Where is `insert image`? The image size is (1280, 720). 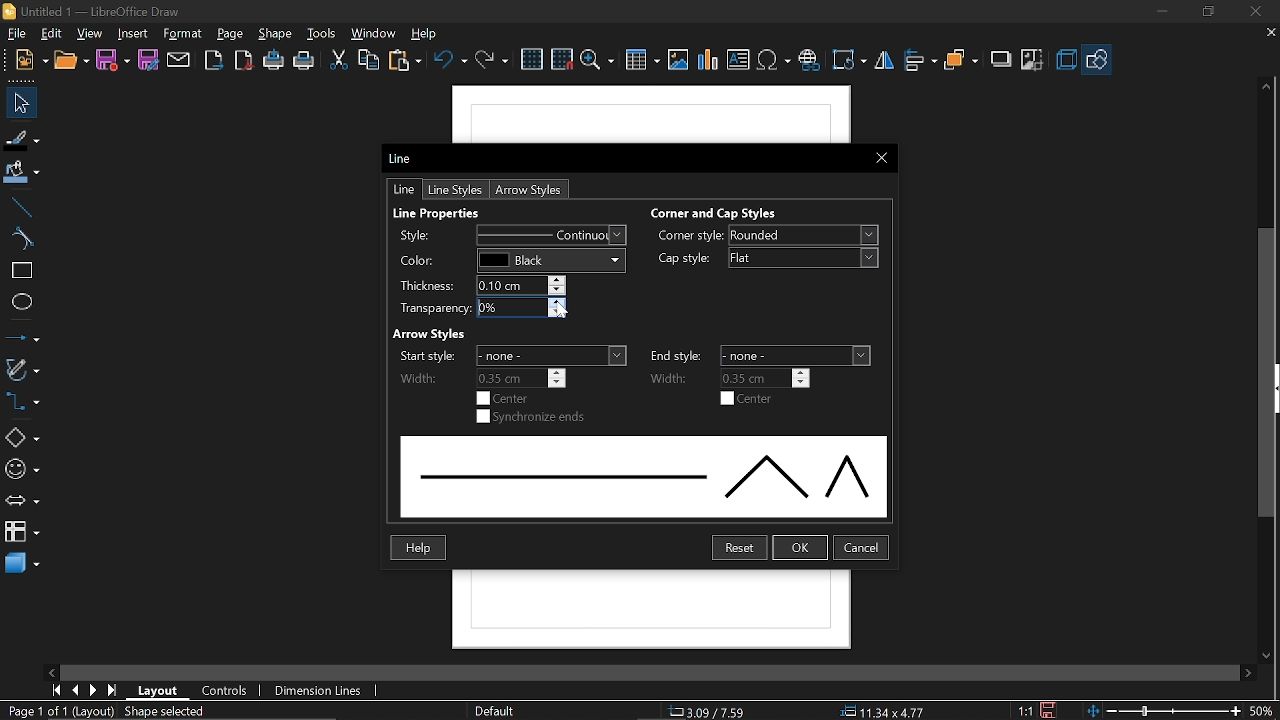 insert image is located at coordinates (677, 58).